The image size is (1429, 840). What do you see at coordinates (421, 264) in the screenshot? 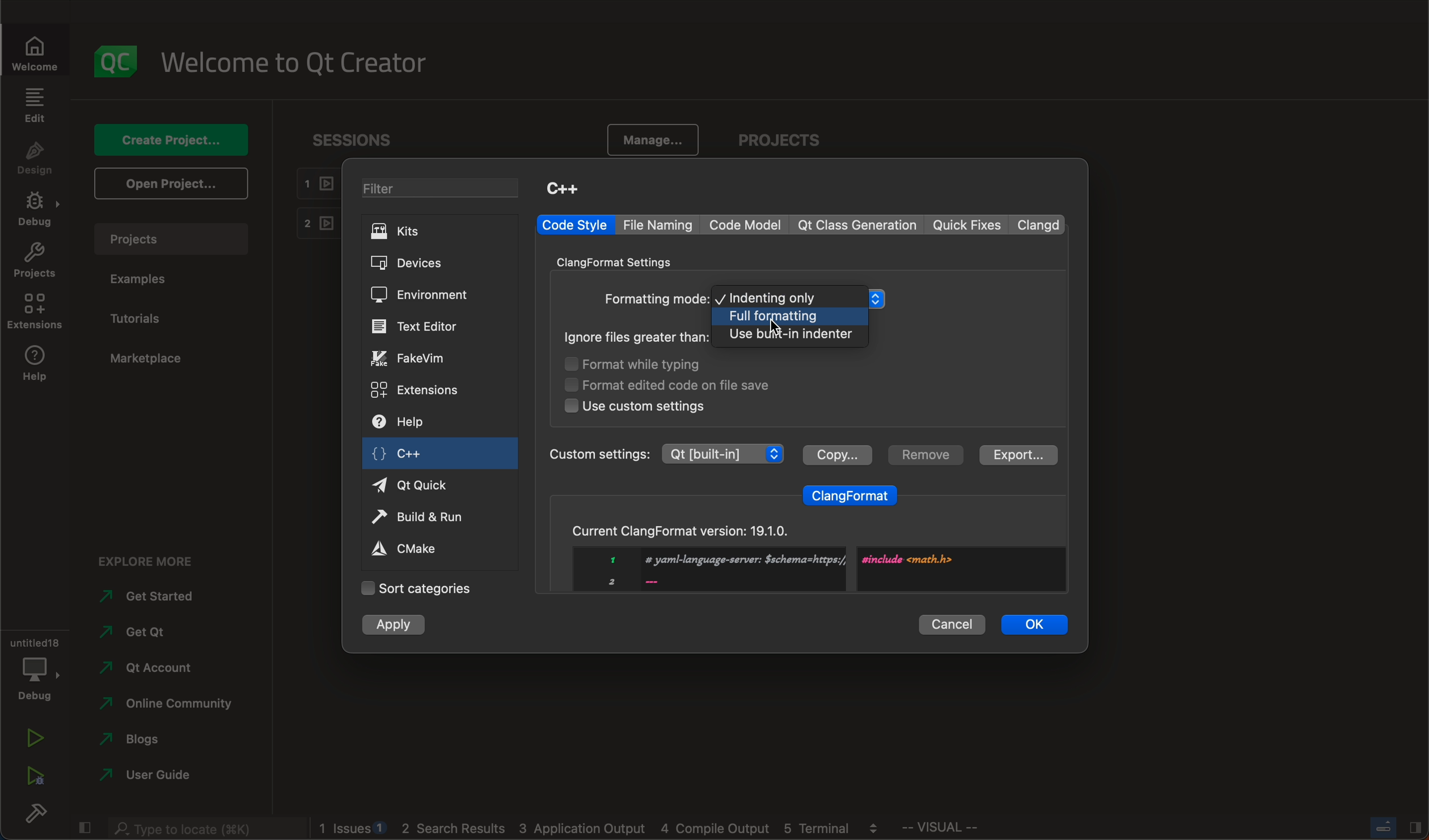
I see `devices` at bounding box center [421, 264].